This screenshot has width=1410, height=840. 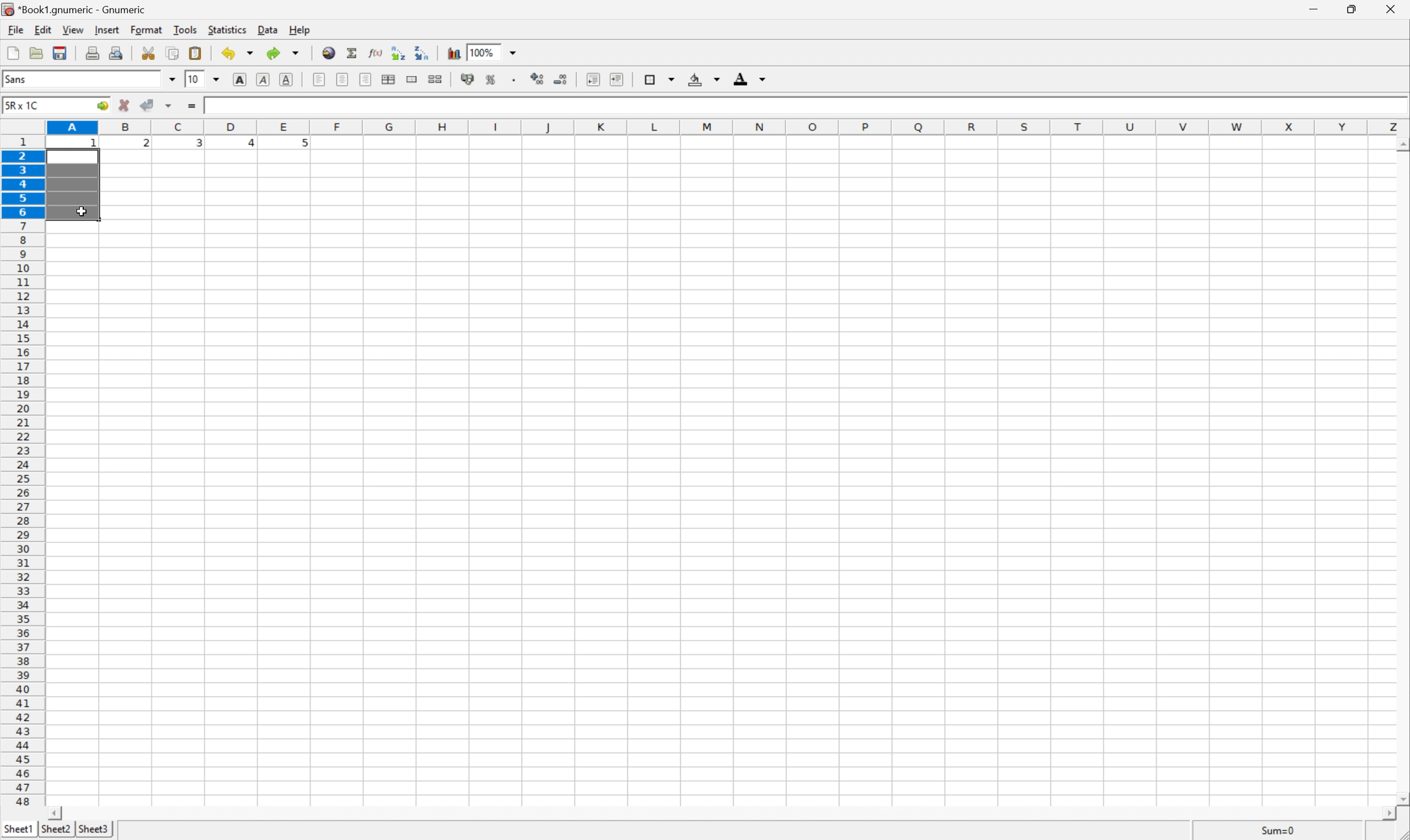 I want to click on underline, so click(x=288, y=79).